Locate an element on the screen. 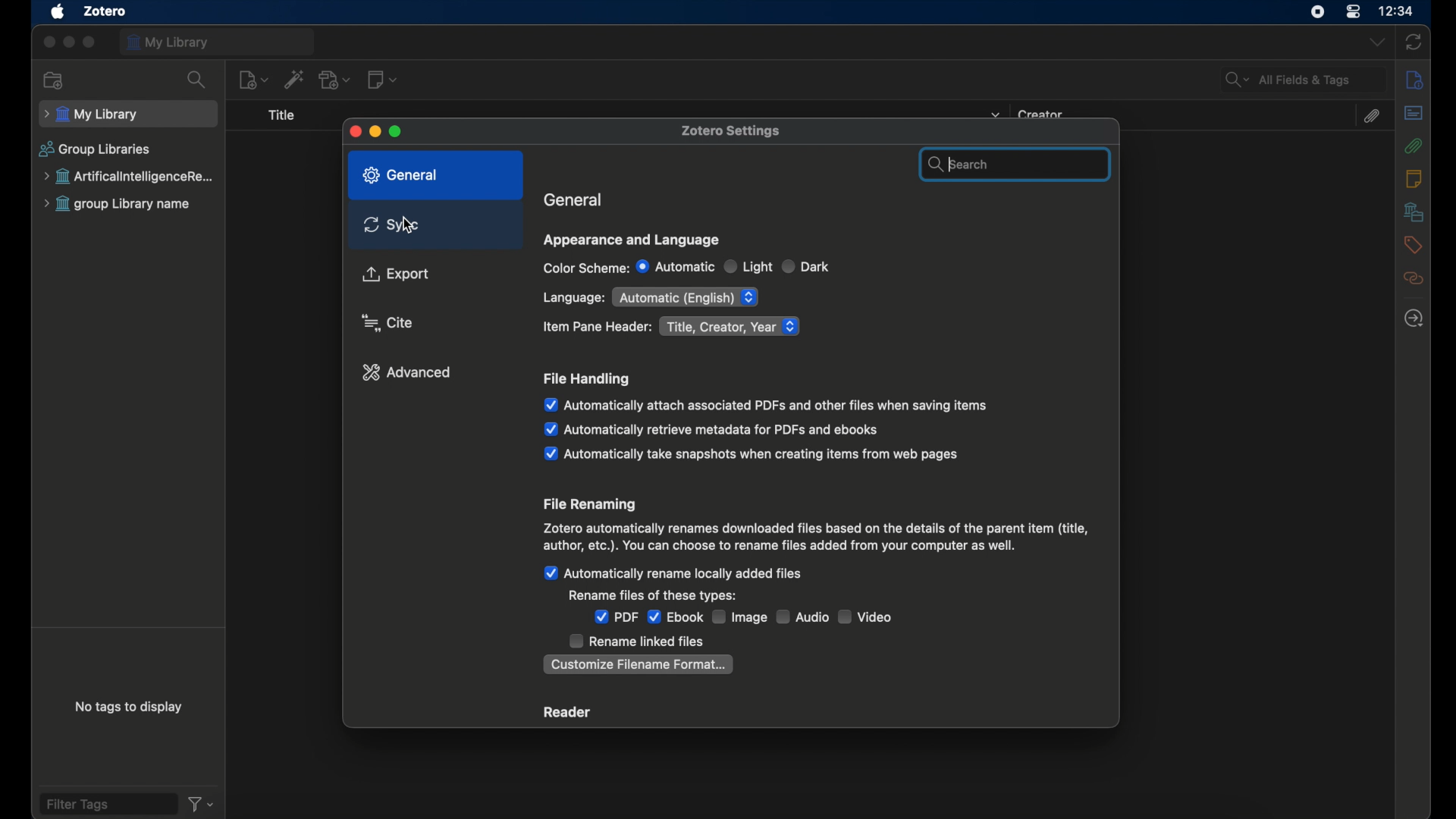 The height and width of the screenshot is (819, 1456). locate is located at coordinates (1415, 318).